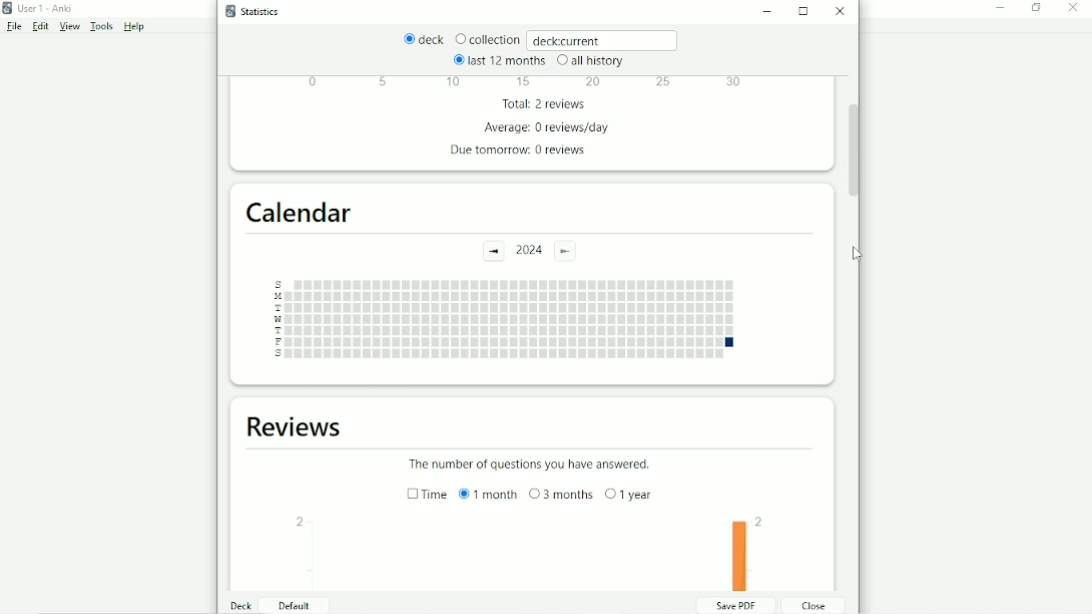  Describe the element at coordinates (1037, 8) in the screenshot. I see `Restore down` at that location.